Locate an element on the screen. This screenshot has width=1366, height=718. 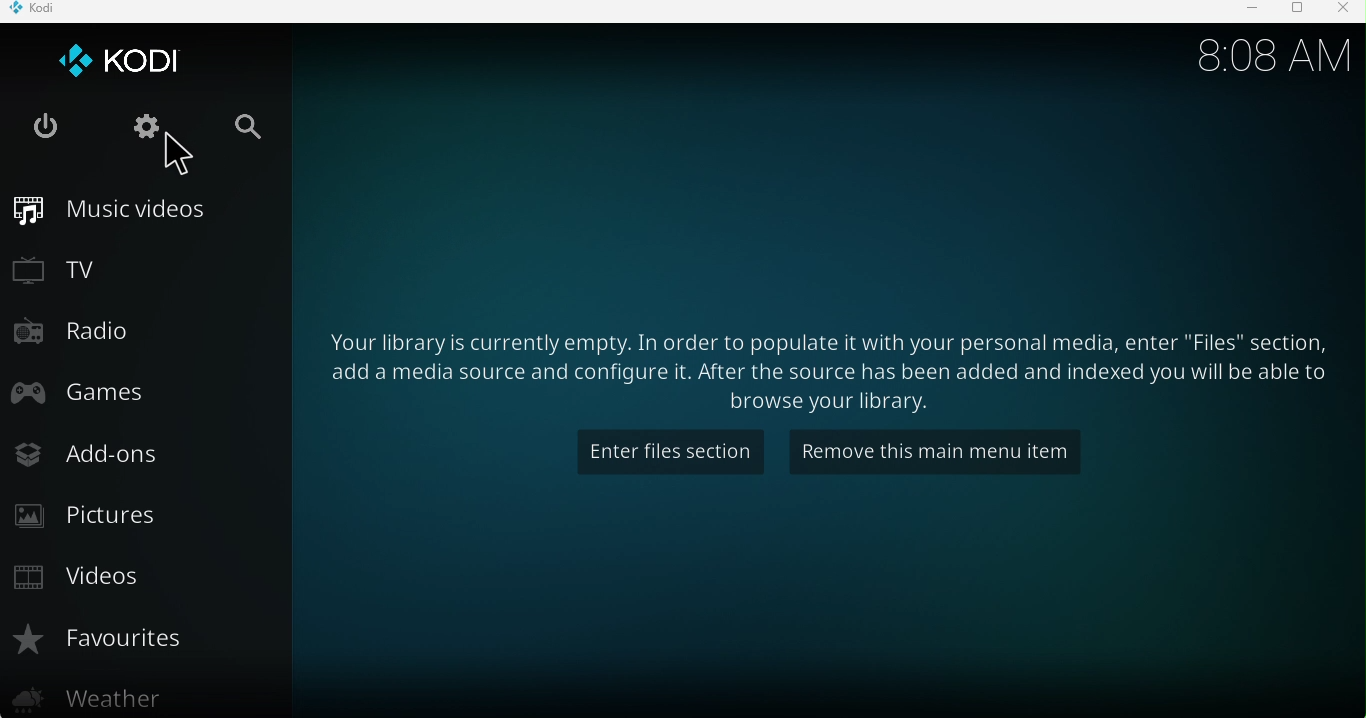
TV is located at coordinates (87, 267).